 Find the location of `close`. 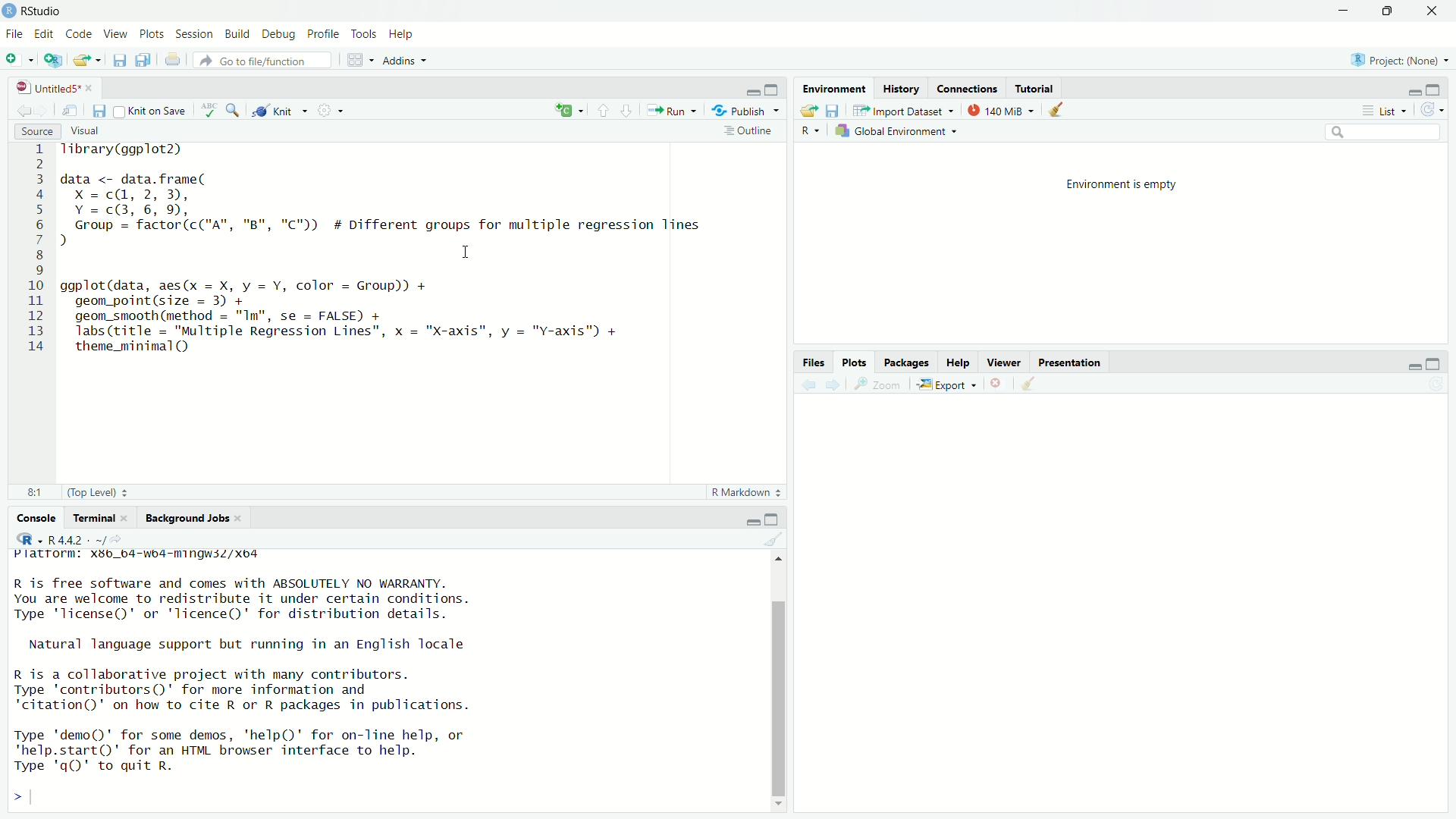

close is located at coordinates (996, 384).